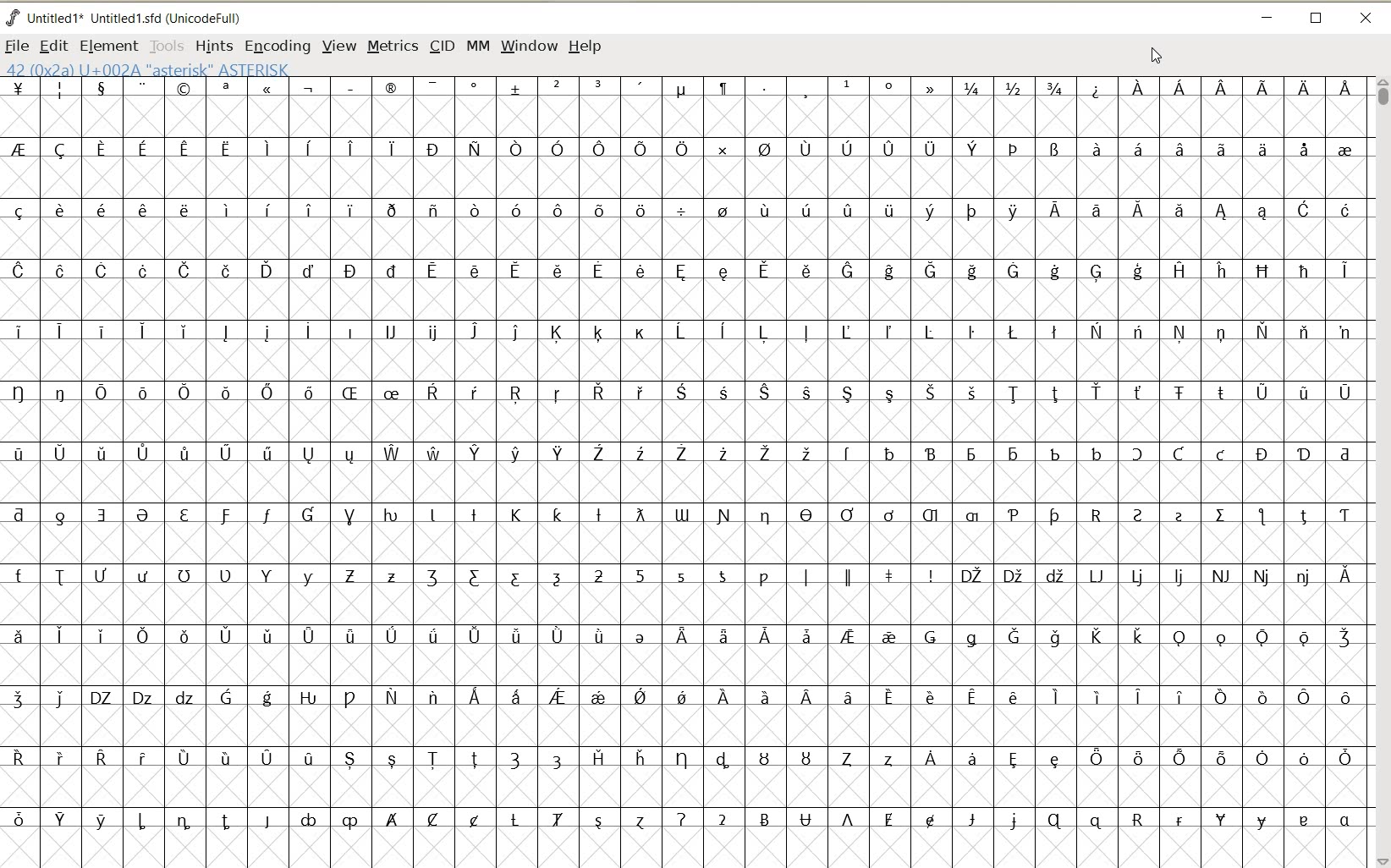 Image resolution: width=1391 pixels, height=868 pixels. Describe the element at coordinates (147, 69) in the screenshot. I see `42 (0x2A) U+002A "Asterisk" ASTERISK` at that location.